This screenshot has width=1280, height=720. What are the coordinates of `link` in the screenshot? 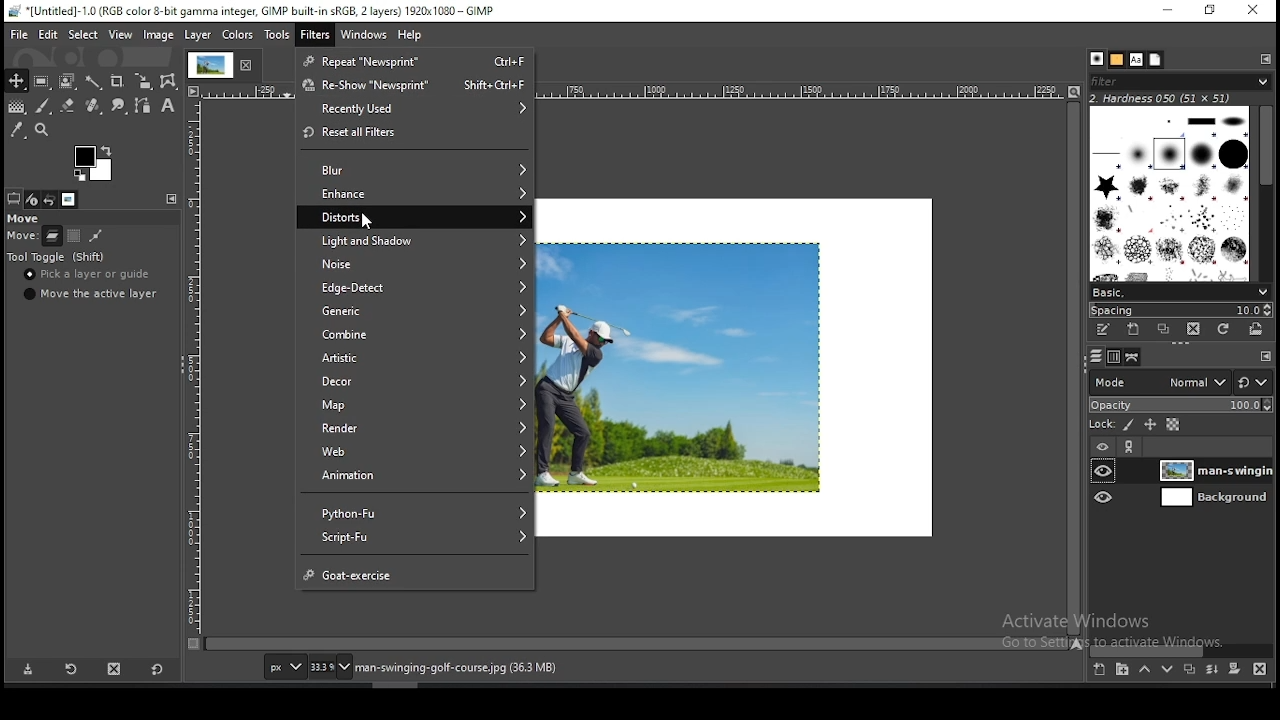 It's located at (1130, 446).